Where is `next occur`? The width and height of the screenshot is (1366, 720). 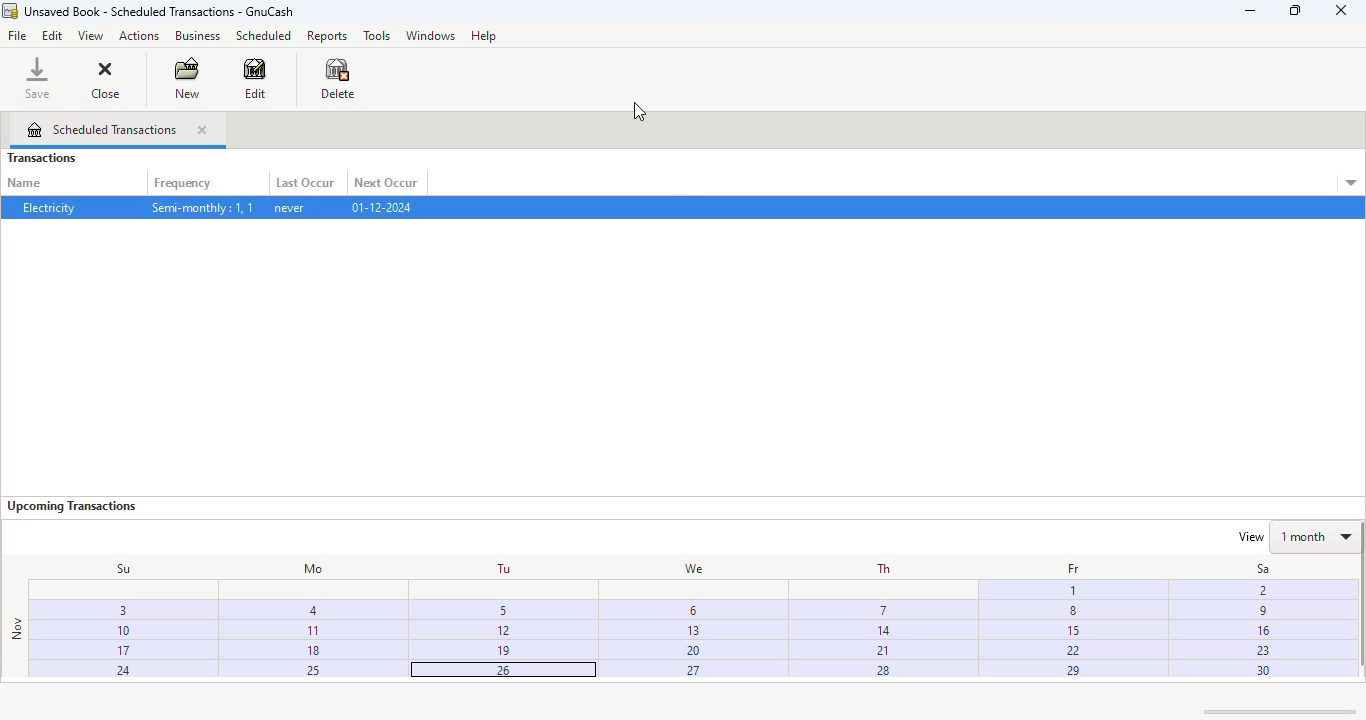
next occur is located at coordinates (387, 183).